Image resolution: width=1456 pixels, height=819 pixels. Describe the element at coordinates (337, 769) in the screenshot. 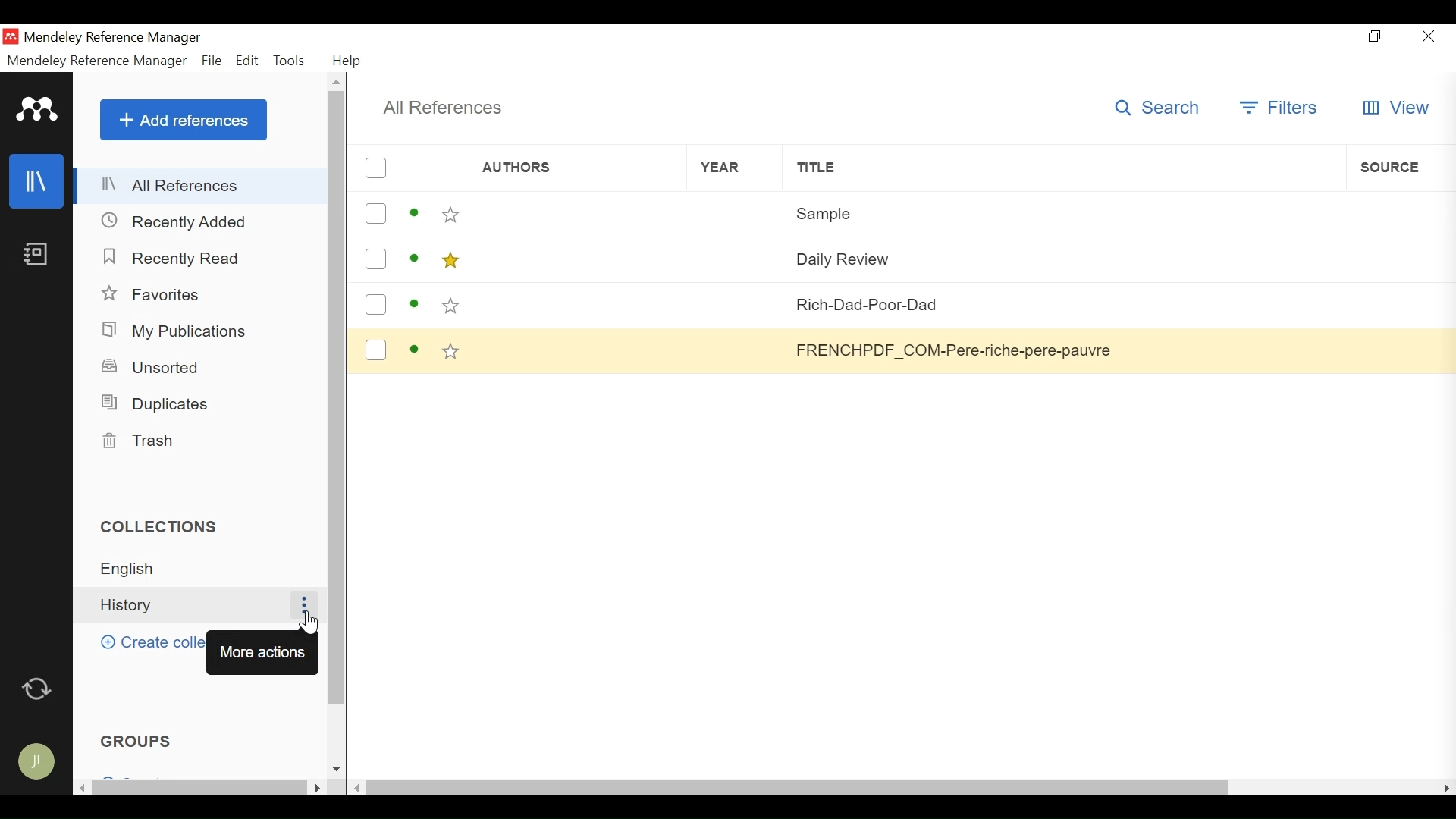

I see `Scroll down` at that location.